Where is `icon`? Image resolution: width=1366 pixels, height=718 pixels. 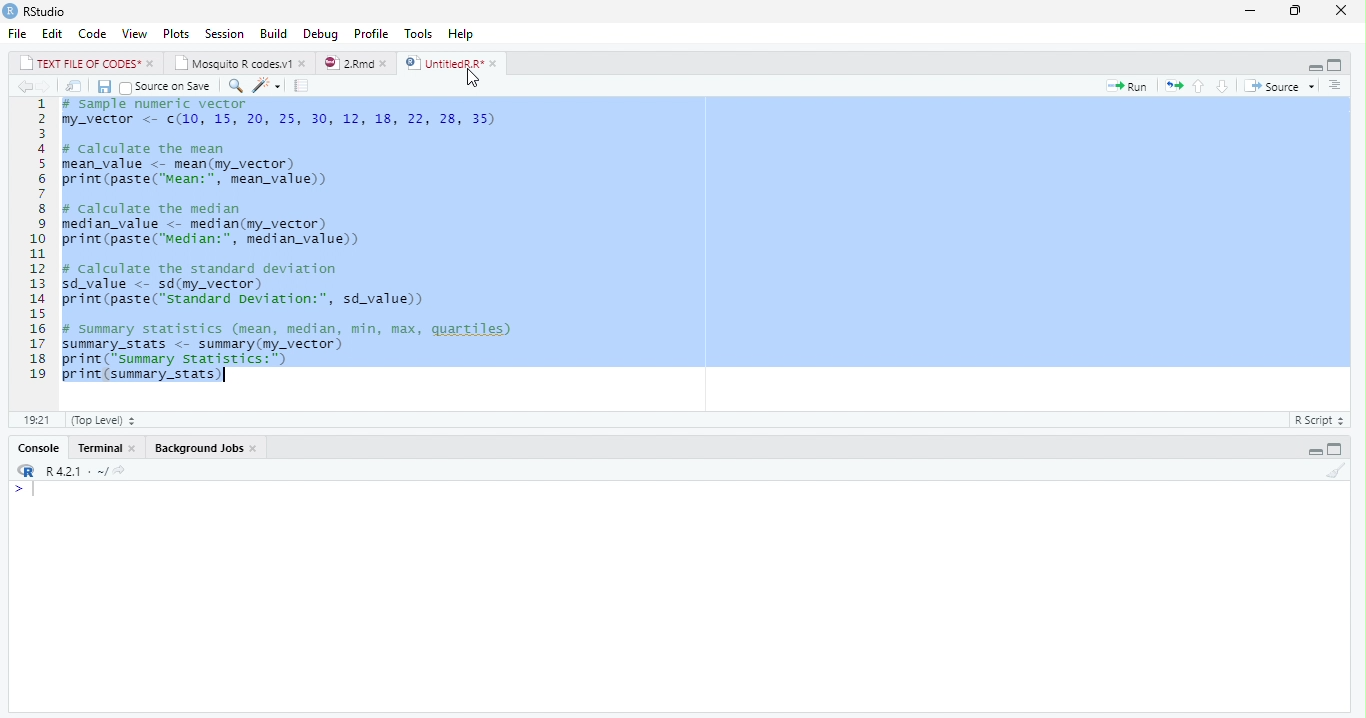 icon is located at coordinates (24, 472).